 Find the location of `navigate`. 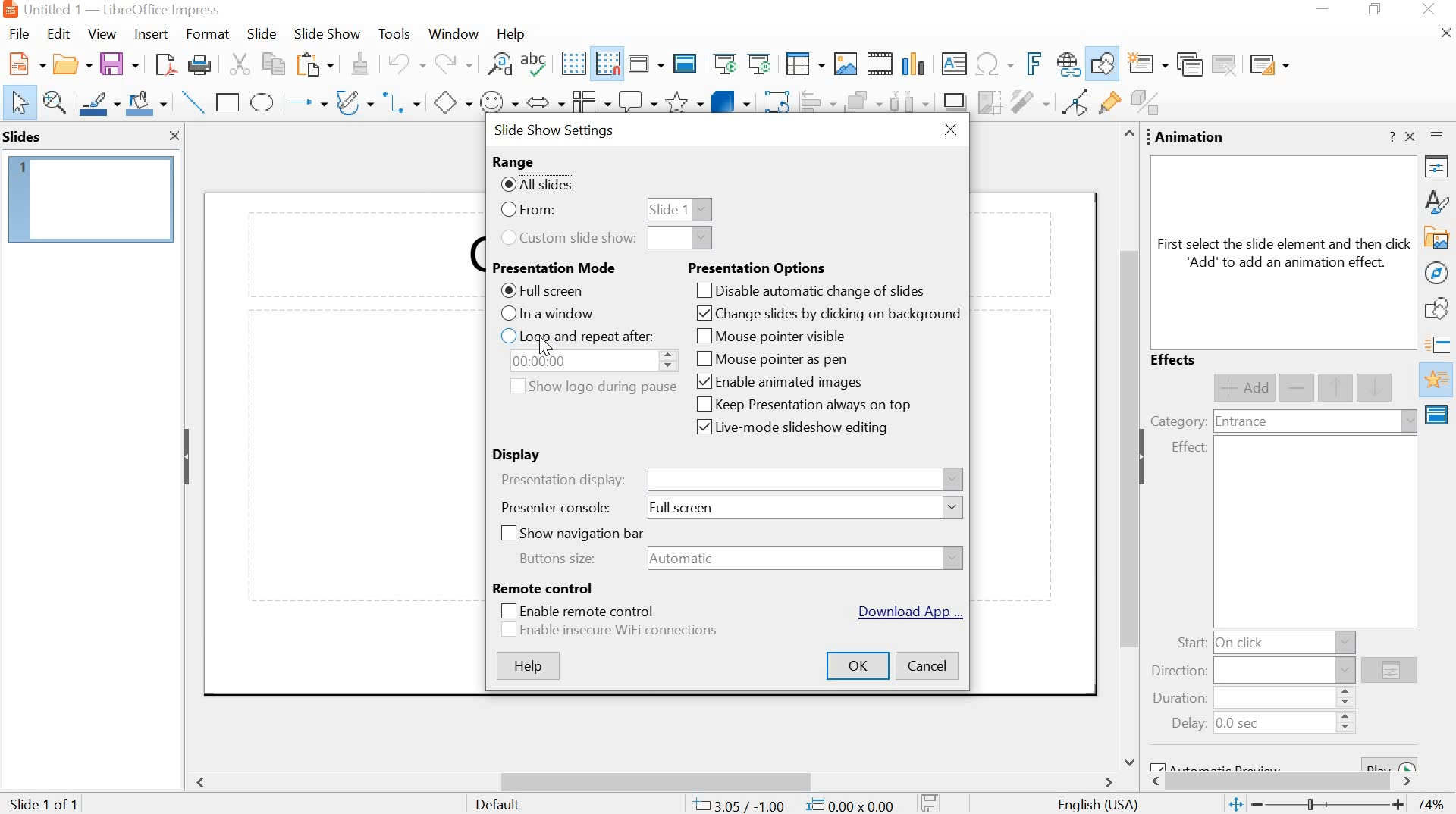

navigate is located at coordinates (1438, 273).